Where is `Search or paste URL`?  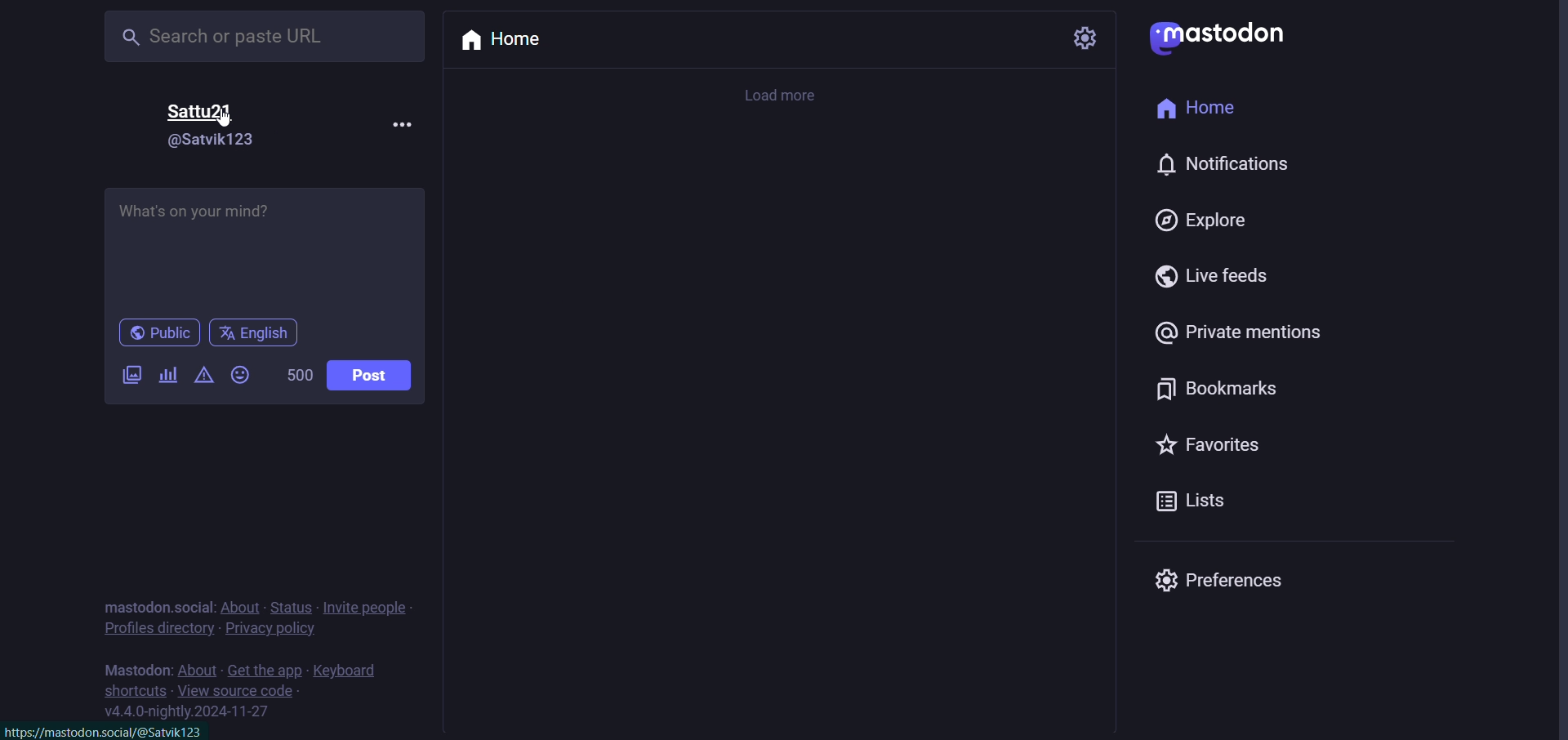
Search or paste URL is located at coordinates (267, 38).